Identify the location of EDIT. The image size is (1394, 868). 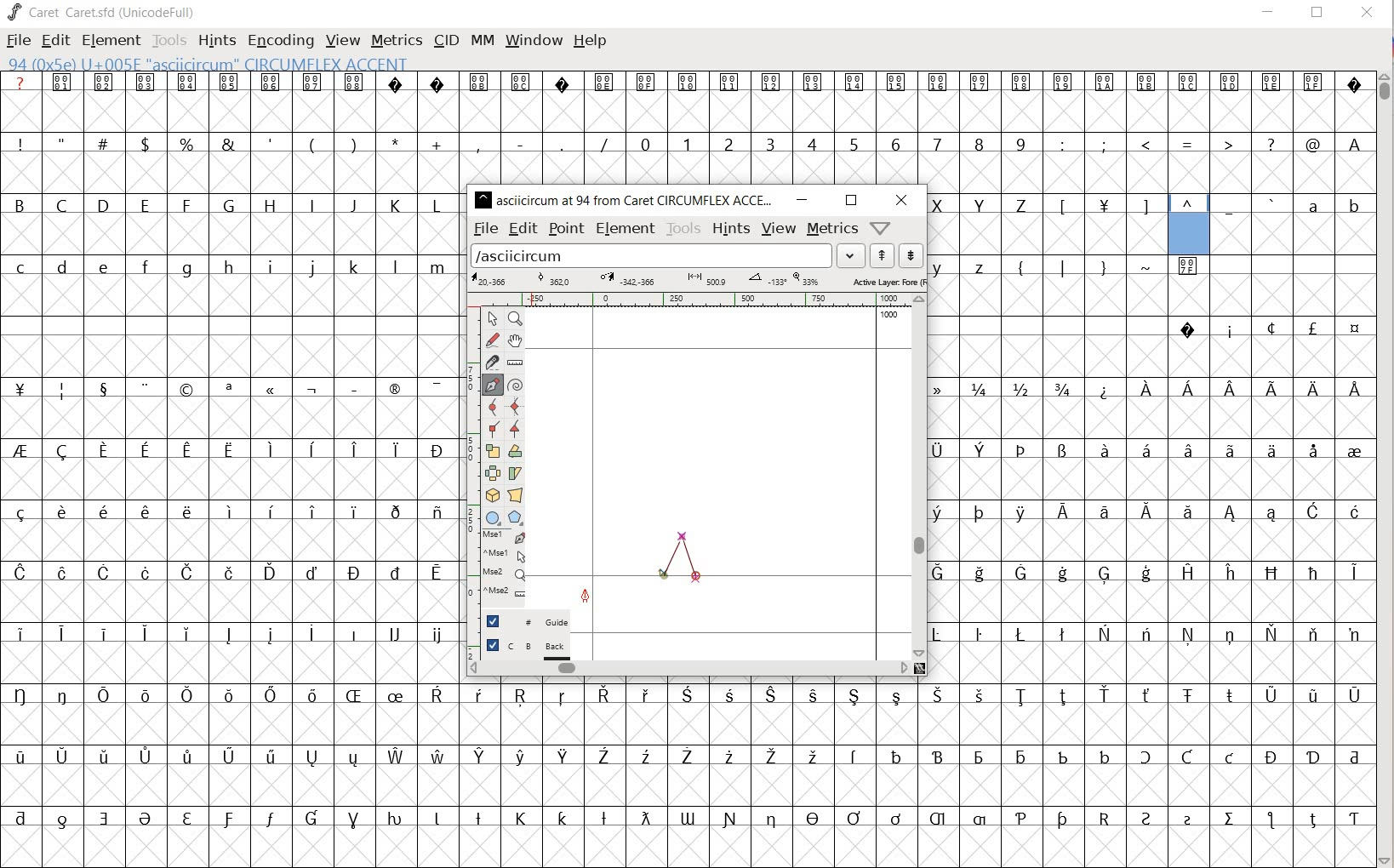
(57, 41).